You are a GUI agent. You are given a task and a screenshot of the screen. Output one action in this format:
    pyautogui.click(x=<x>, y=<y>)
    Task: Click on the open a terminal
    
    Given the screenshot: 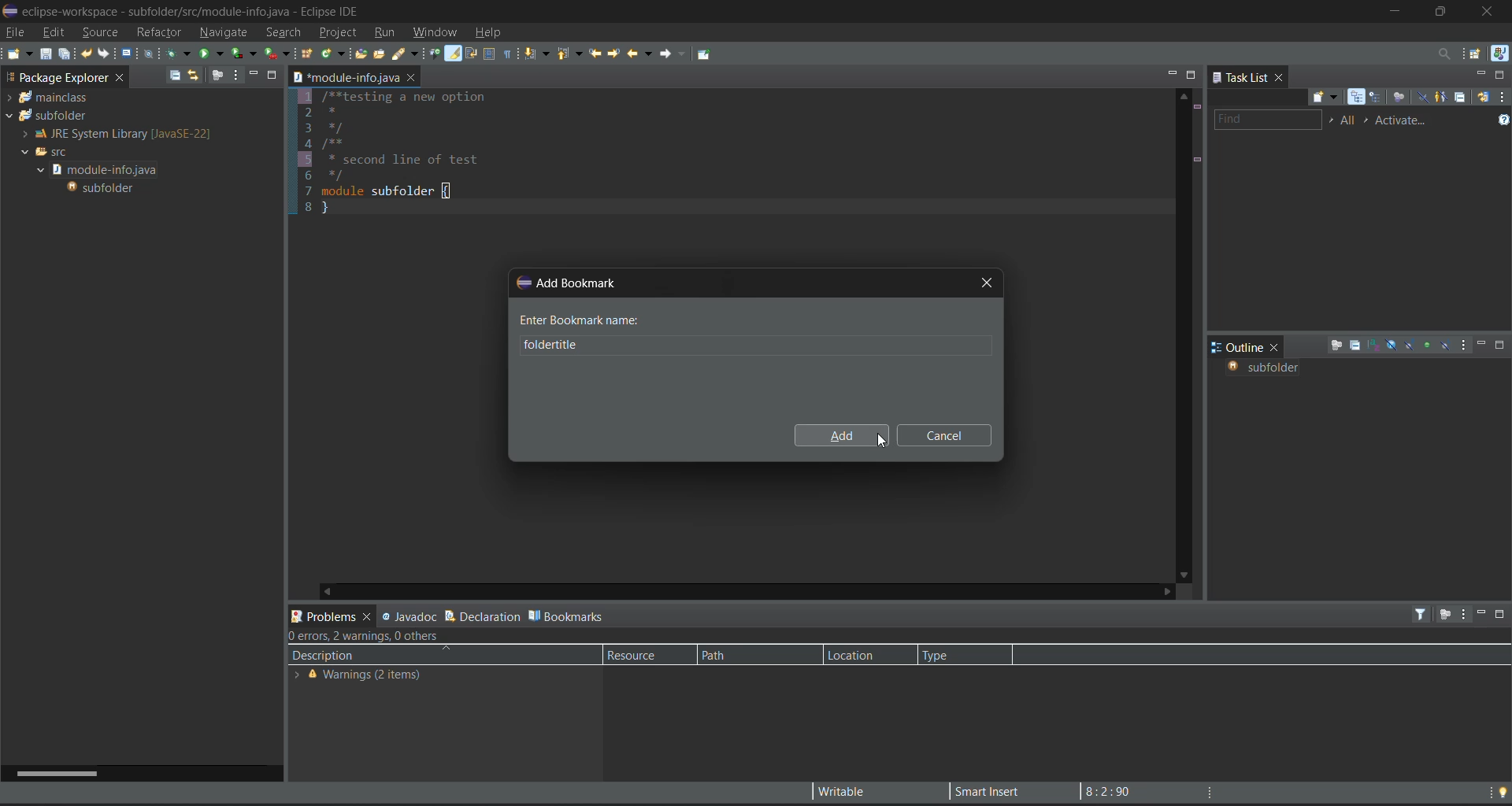 What is the action you would take?
    pyautogui.click(x=128, y=54)
    